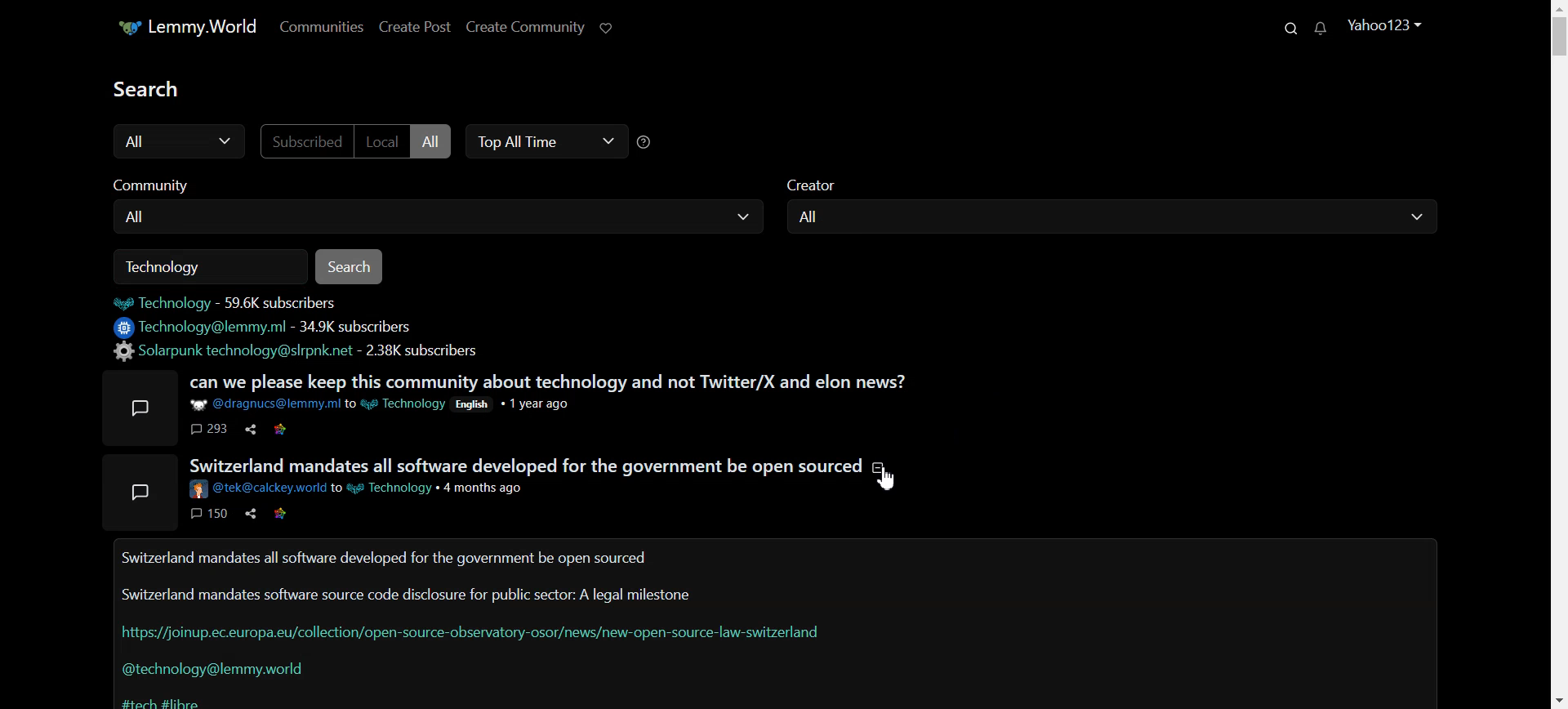 The image size is (1568, 709). Describe the element at coordinates (1325, 27) in the screenshot. I see `Unread Messages` at that location.